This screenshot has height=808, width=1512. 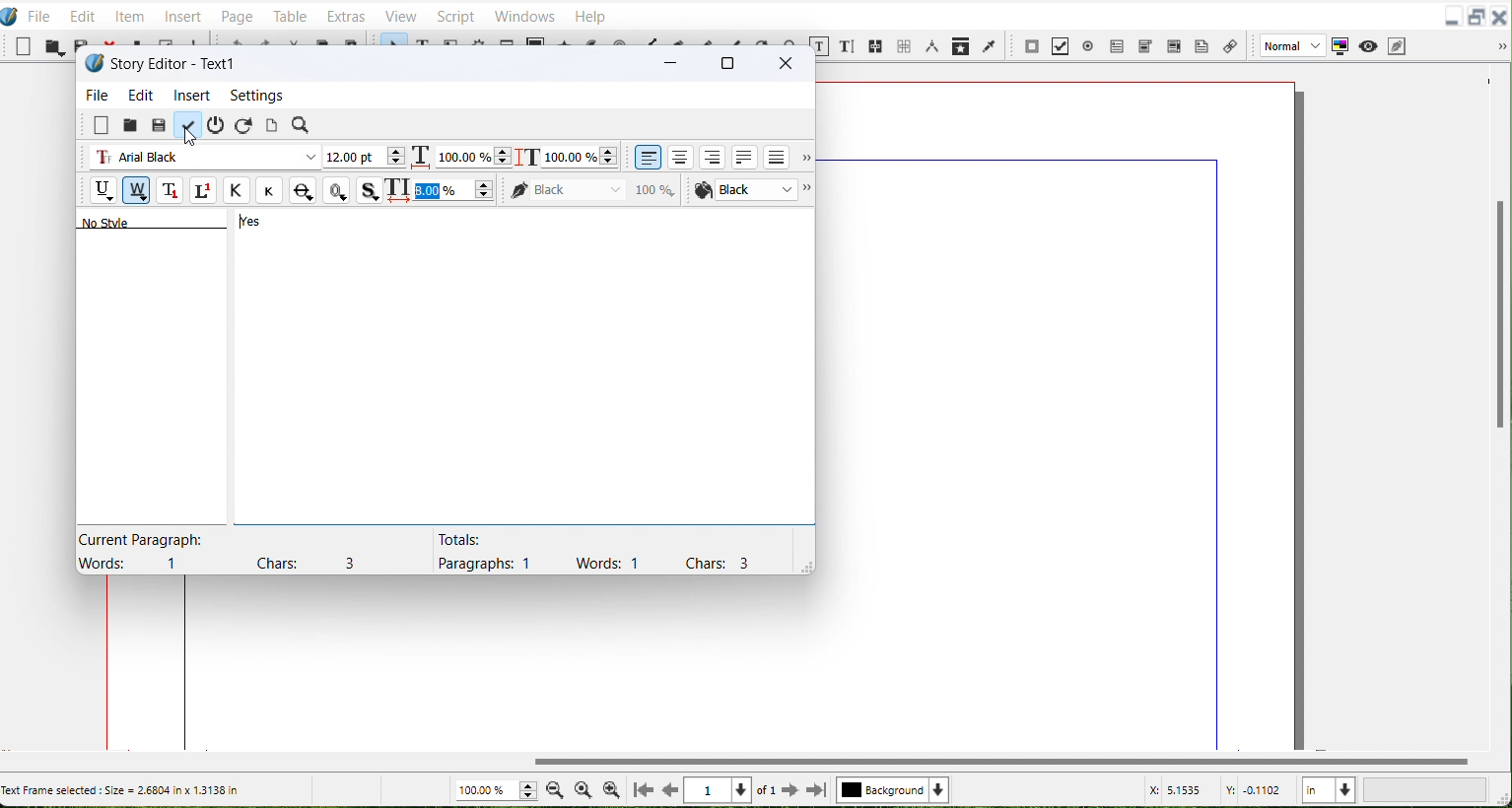 What do you see at coordinates (136, 190) in the screenshot?
I see `Remove Underline` at bounding box center [136, 190].